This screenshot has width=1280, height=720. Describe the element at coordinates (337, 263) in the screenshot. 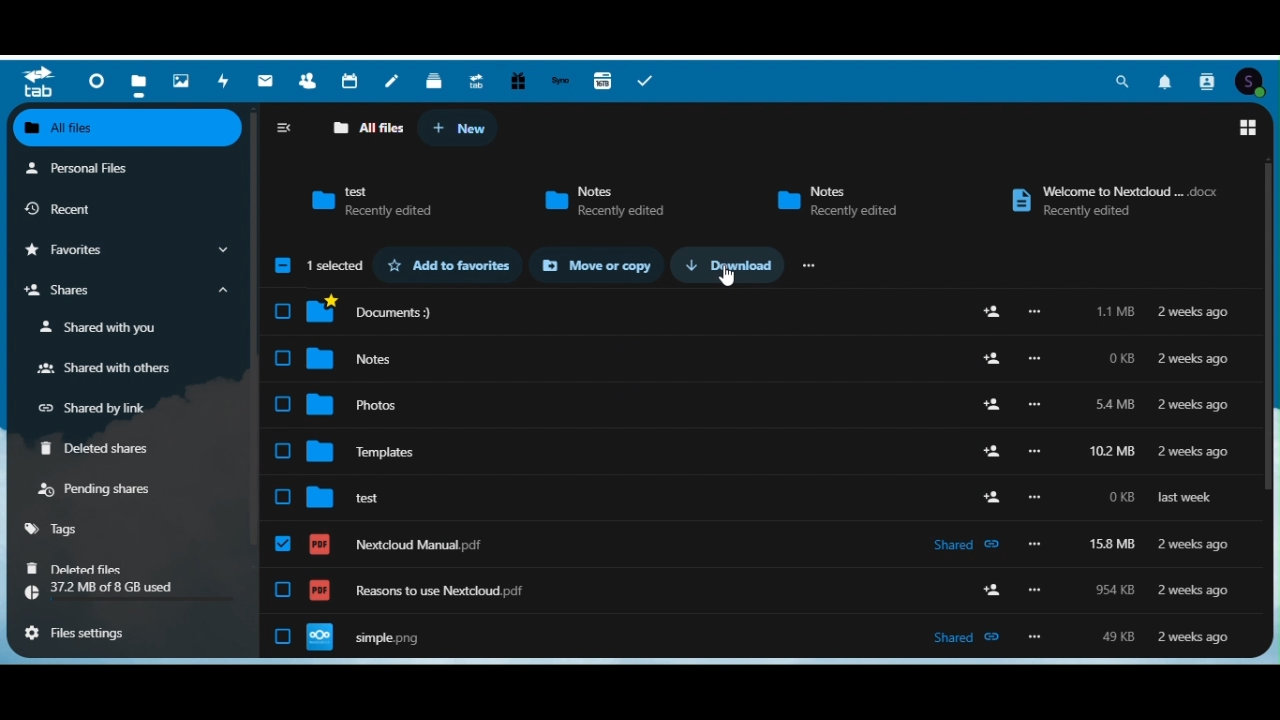

I see `One selected` at that location.